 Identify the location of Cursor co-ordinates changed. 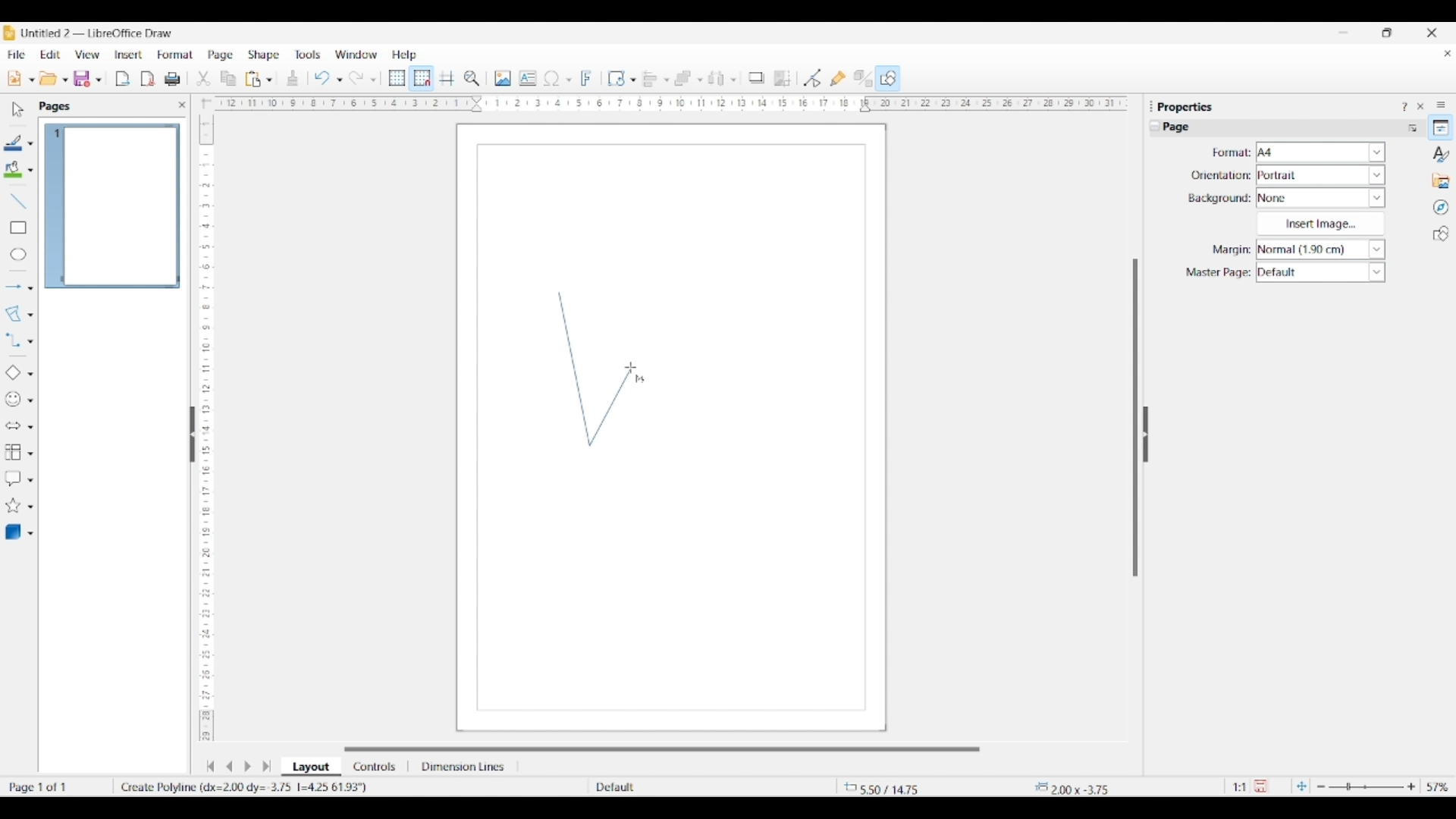
(885, 787).